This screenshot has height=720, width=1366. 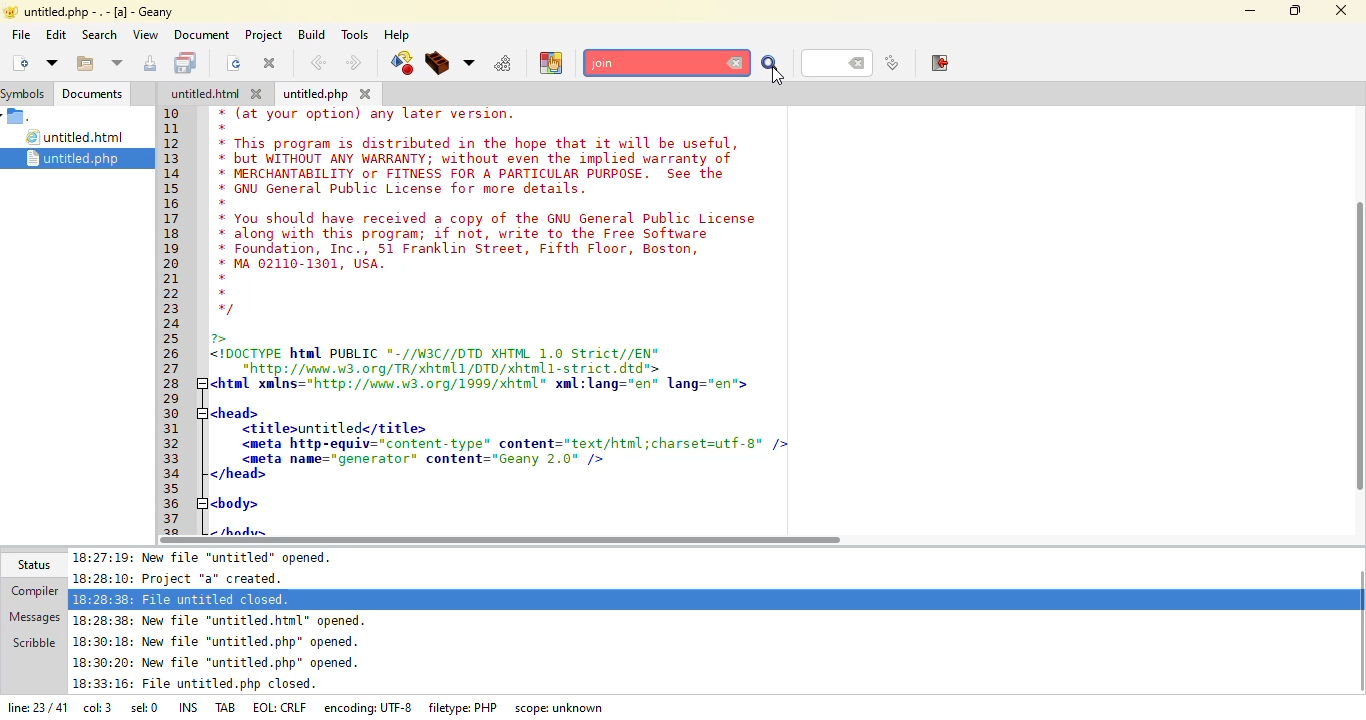 What do you see at coordinates (144, 34) in the screenshot?
I see `view` at bounding box center [144, 34].